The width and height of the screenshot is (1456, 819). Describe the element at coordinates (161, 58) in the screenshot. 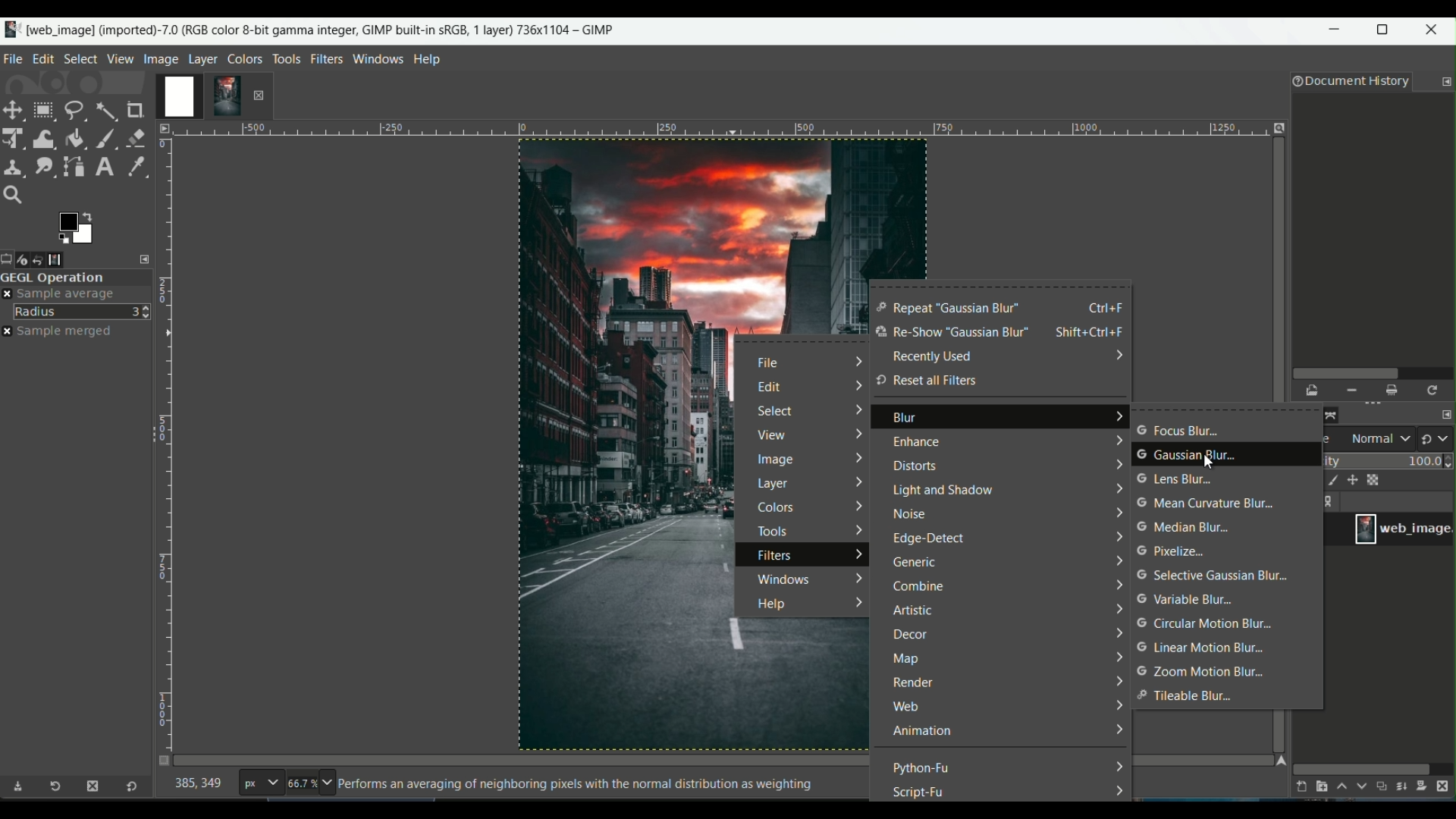

I see `image tab` at that location.